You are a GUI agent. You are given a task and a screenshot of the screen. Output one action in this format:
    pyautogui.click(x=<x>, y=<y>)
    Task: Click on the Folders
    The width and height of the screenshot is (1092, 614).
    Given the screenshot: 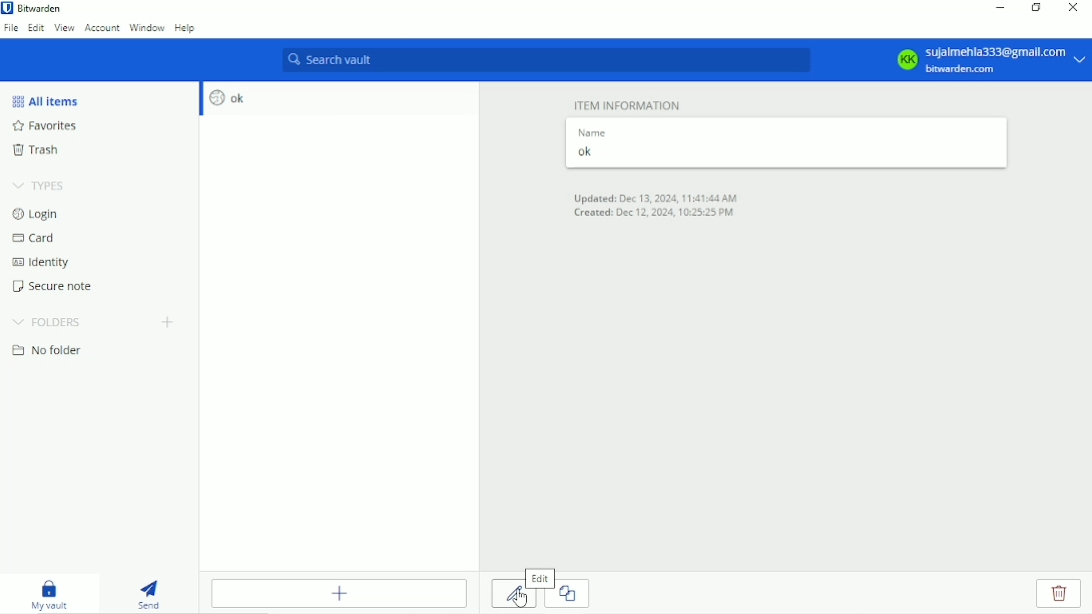 What is the action you would take?
    pyautogui.click(x=45, y=321)
    